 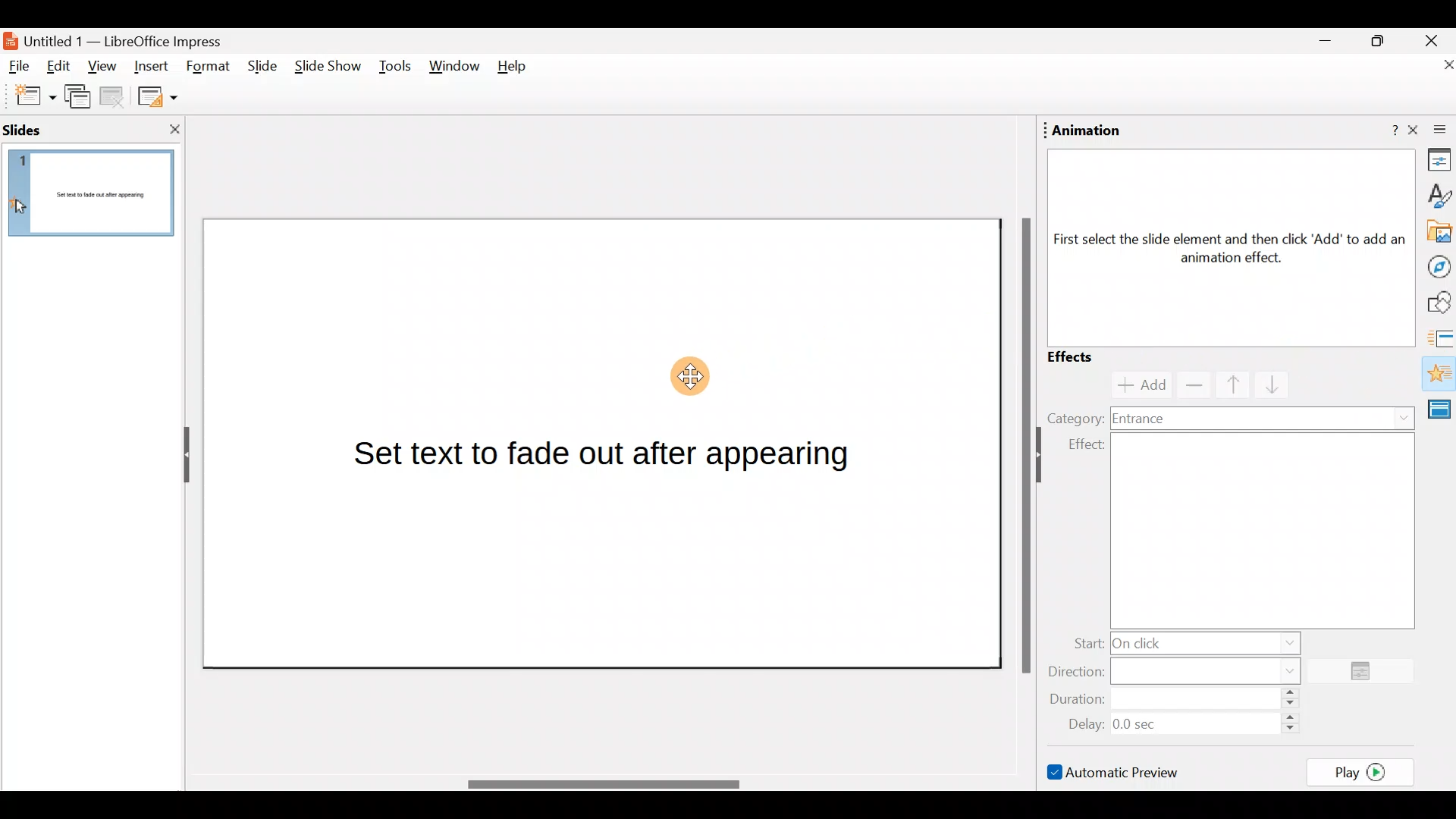 I want to click on Window, so click(x=455, y=70).